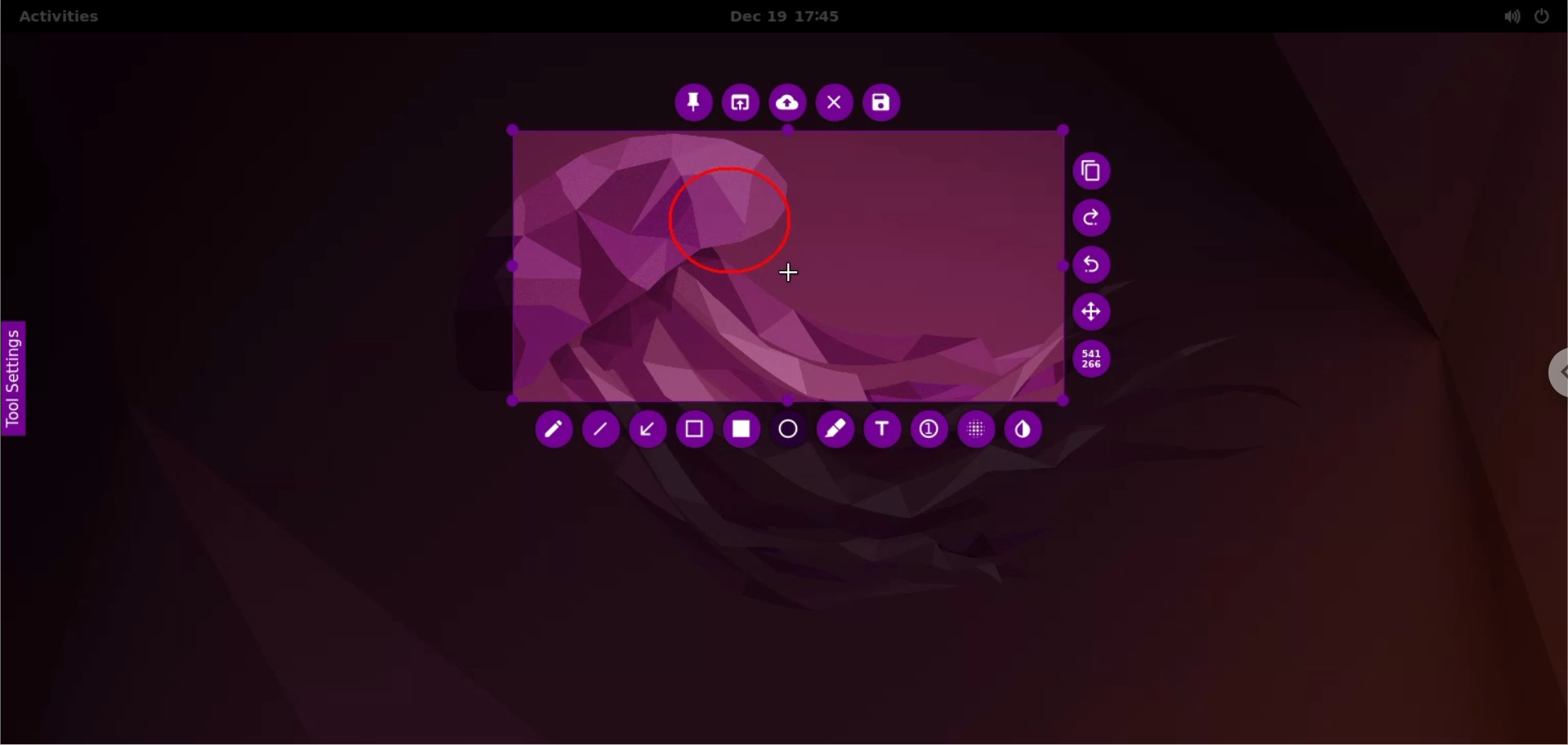  What do you see at coordinates (693, 101) in the screenshot?
I see `pin` at bounding box center [693, 101].